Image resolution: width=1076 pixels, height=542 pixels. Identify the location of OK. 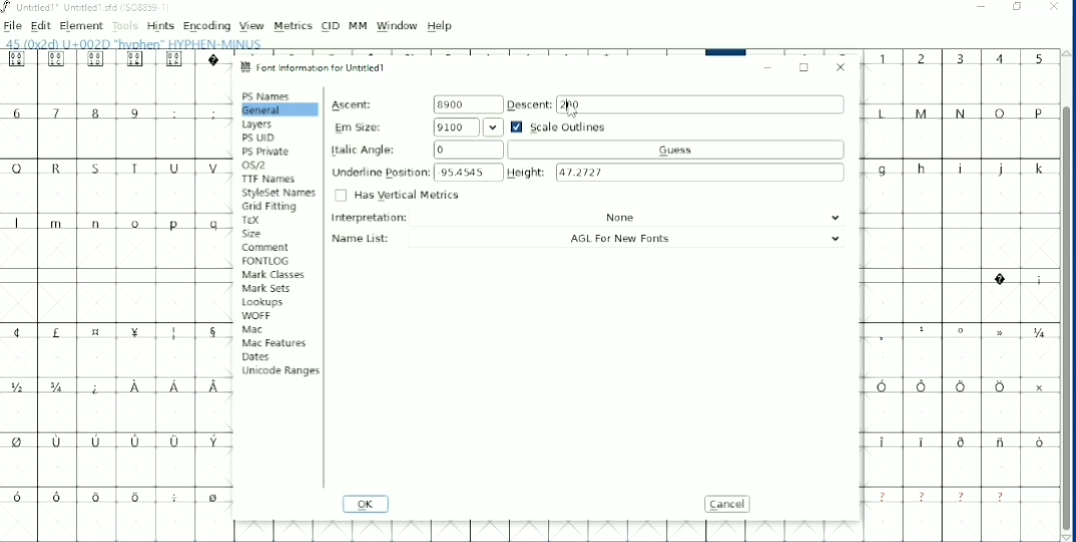
(365, 505).